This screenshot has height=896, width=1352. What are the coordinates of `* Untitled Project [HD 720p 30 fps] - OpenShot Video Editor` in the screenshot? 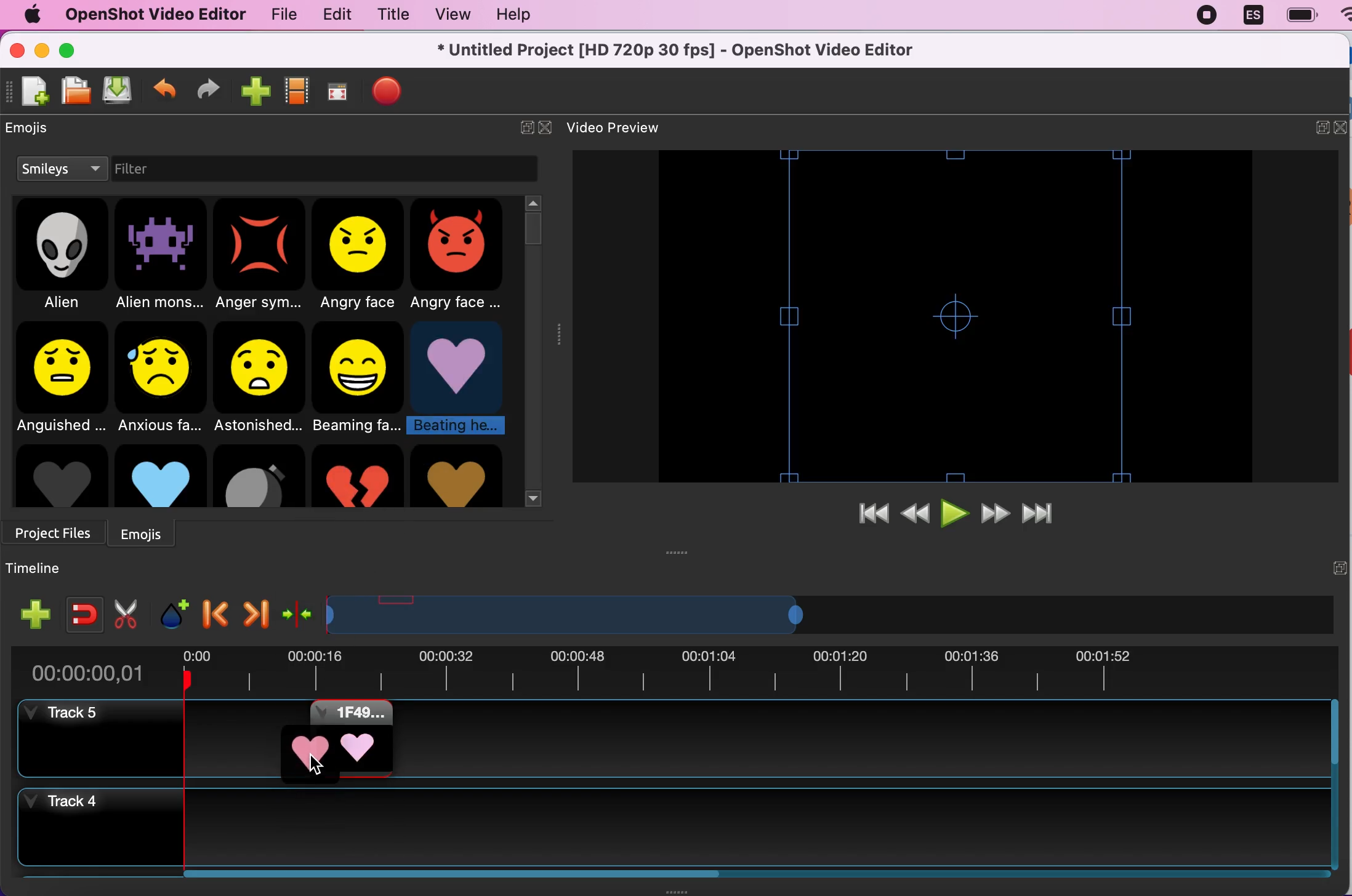 It's located at (680, 49).